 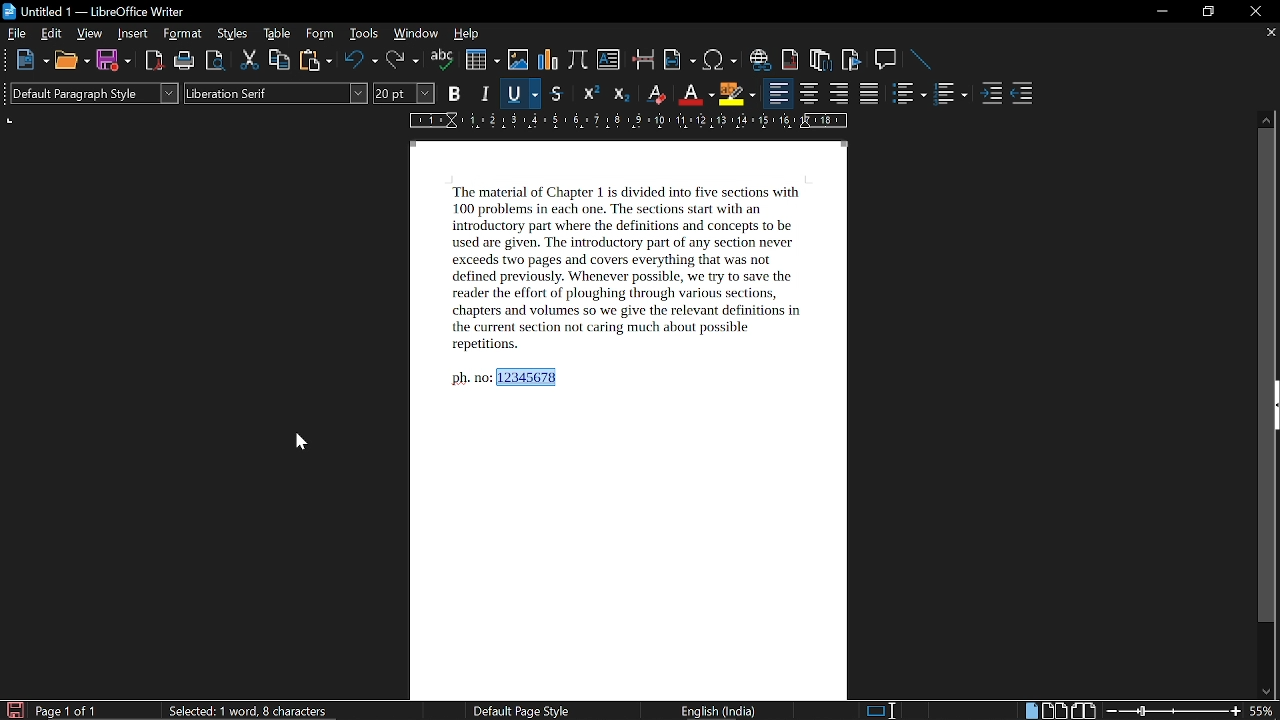 What do you see at coordinates (94, 93) in the screenshot?
I see `paragraph style` at bounding box center [94, 93].